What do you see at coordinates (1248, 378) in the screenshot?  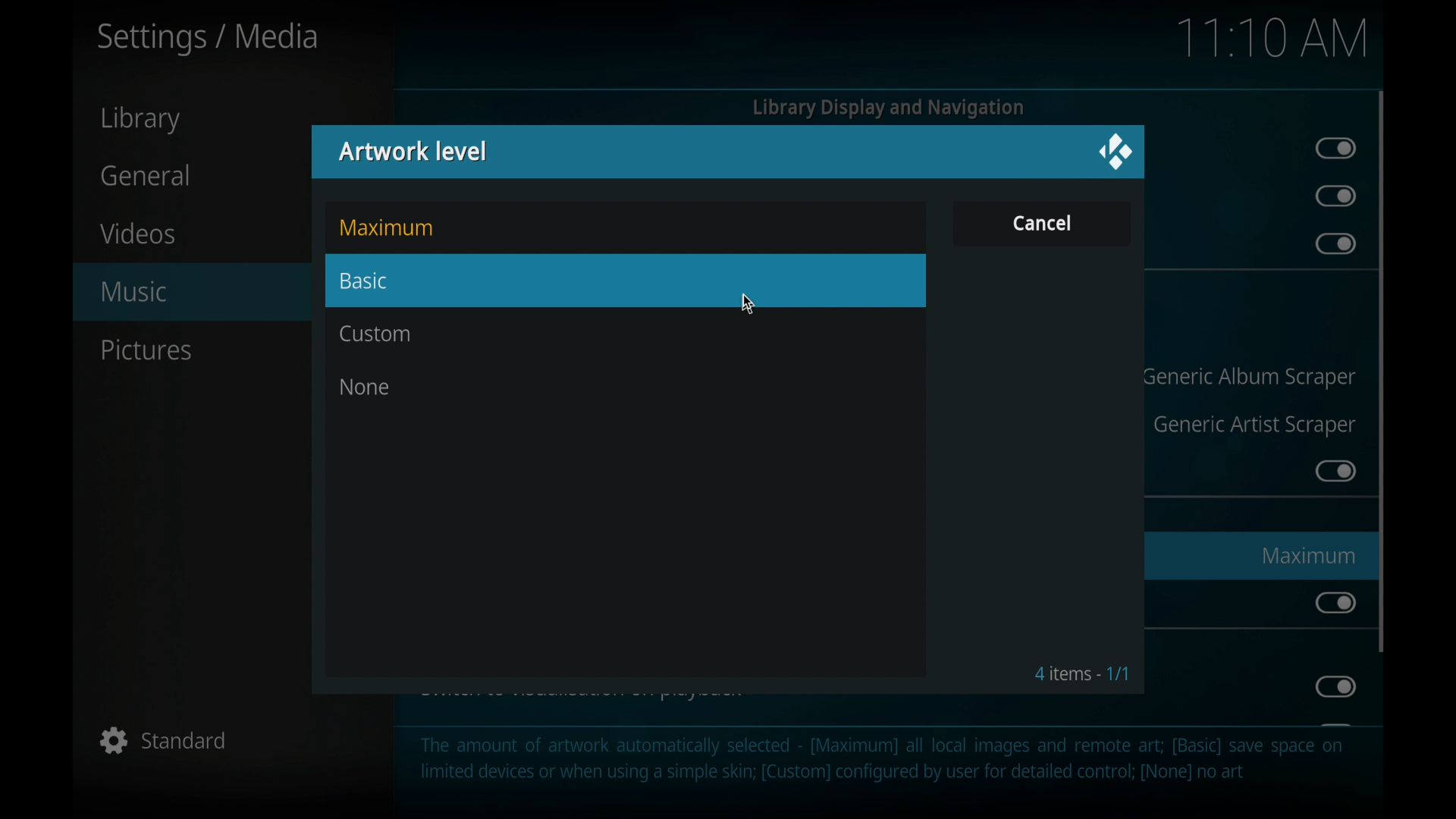 I see `generic album scraper` at bounding box center [1248, 378].